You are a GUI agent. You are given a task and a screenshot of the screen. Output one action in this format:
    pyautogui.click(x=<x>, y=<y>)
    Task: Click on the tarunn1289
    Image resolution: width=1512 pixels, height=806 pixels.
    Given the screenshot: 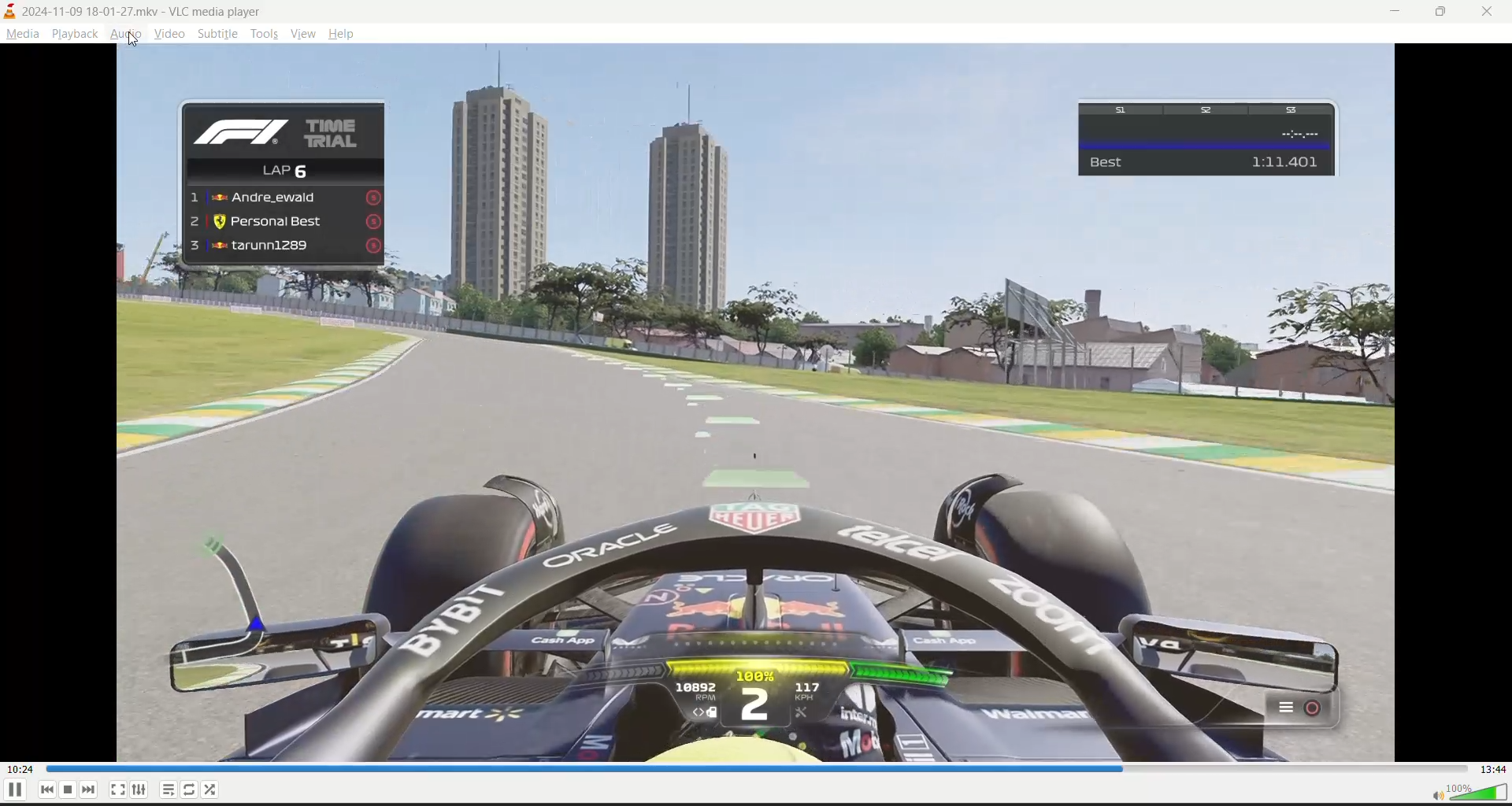 What is the action you would take?
    pyautogui.click(x=284, y=247)
    